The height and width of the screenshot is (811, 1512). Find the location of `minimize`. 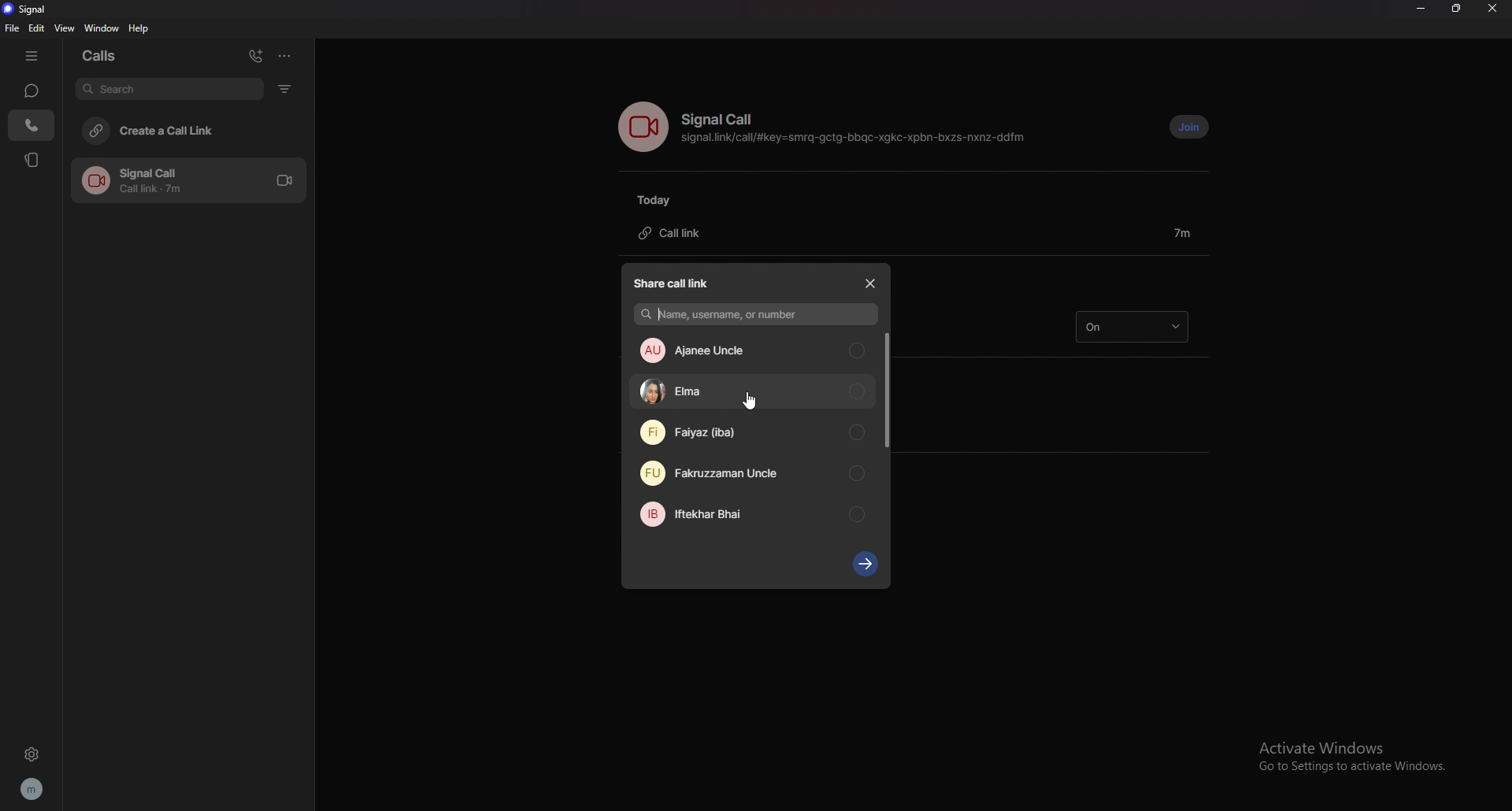

minimize is located at coordinates (1421, 9).